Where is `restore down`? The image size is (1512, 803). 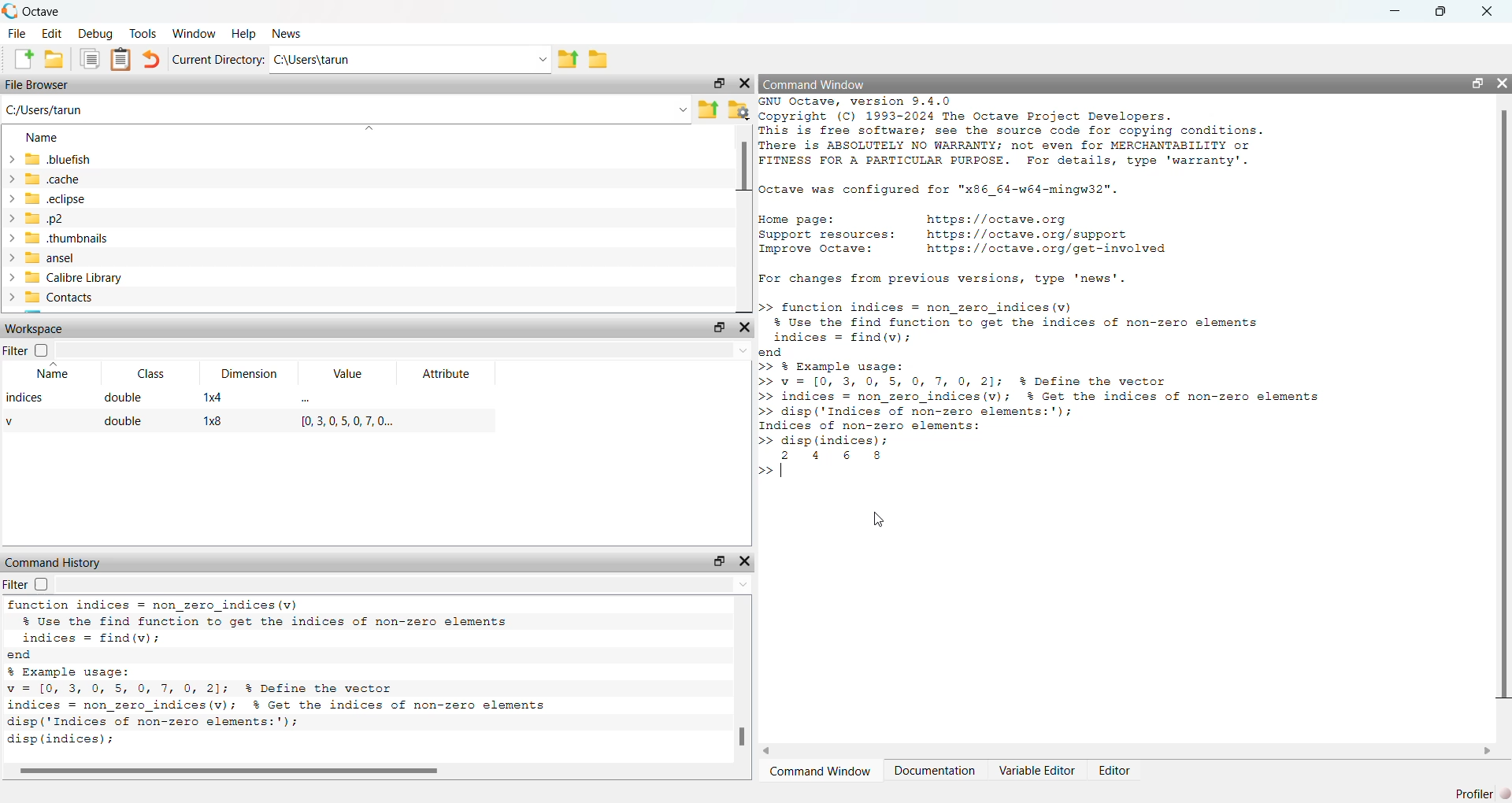 restore down is located at coordinates (717, 561).